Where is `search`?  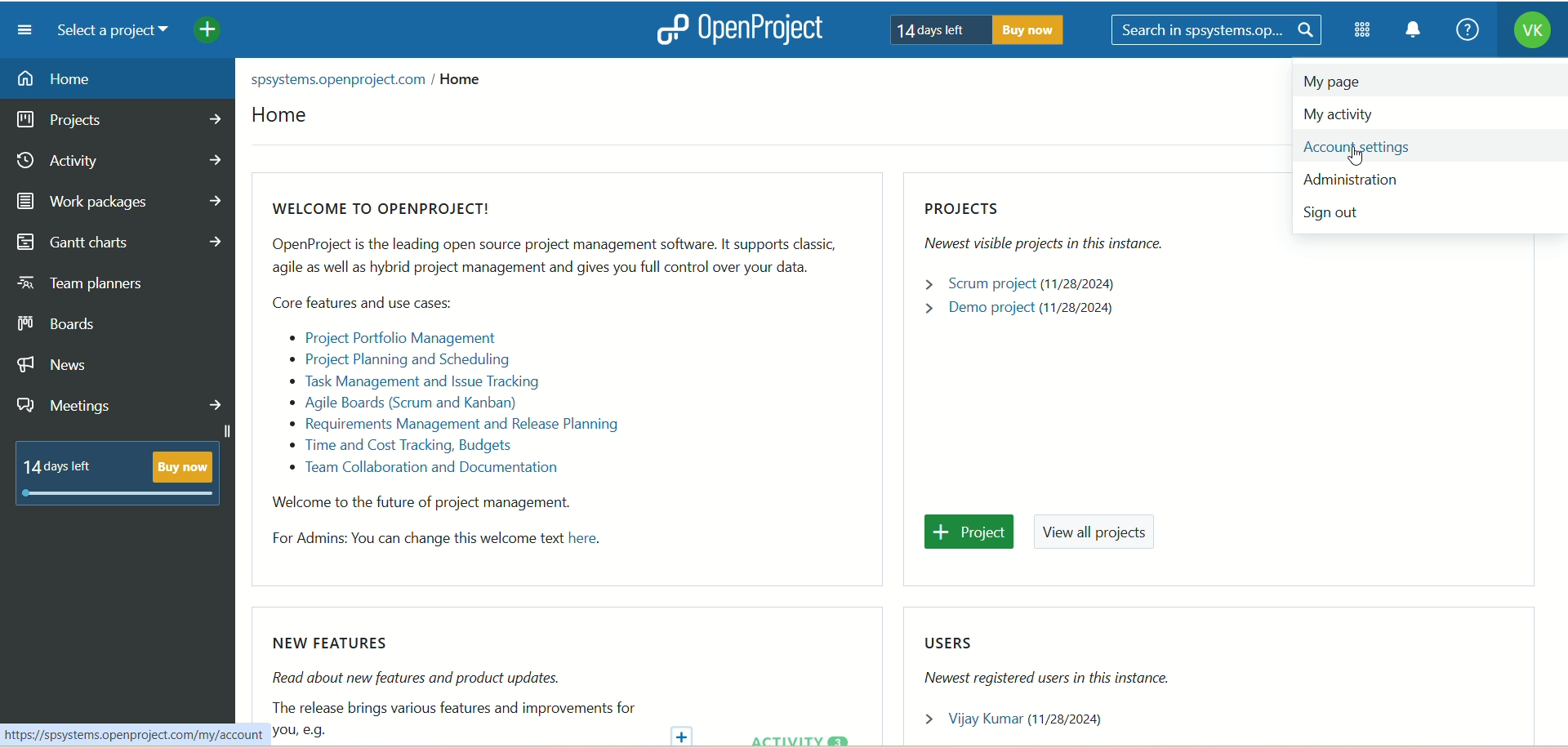
search is located at coordinates (1219, 31).